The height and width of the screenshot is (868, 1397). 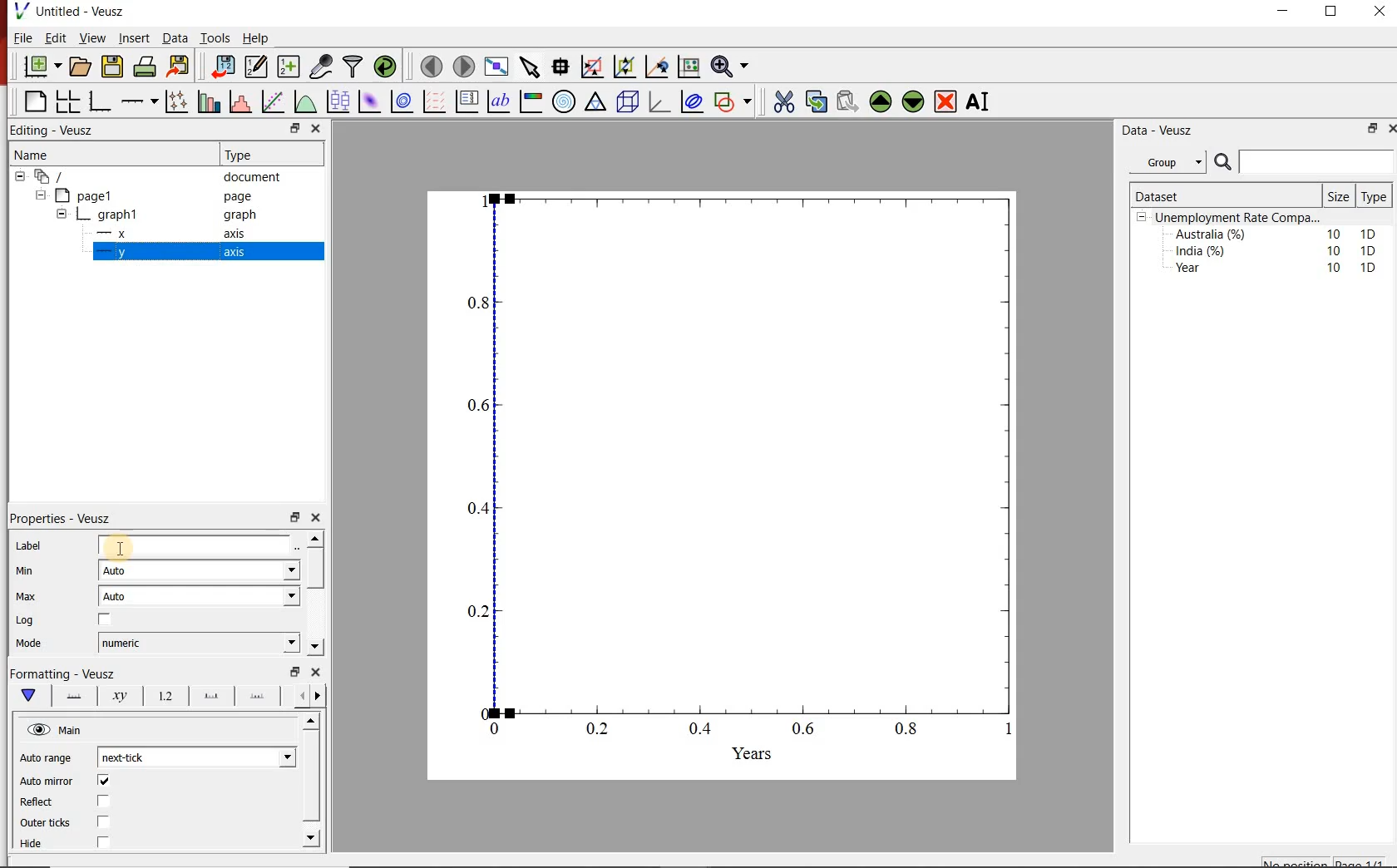 I want to click on page1 page, so click(x=160, y=195).